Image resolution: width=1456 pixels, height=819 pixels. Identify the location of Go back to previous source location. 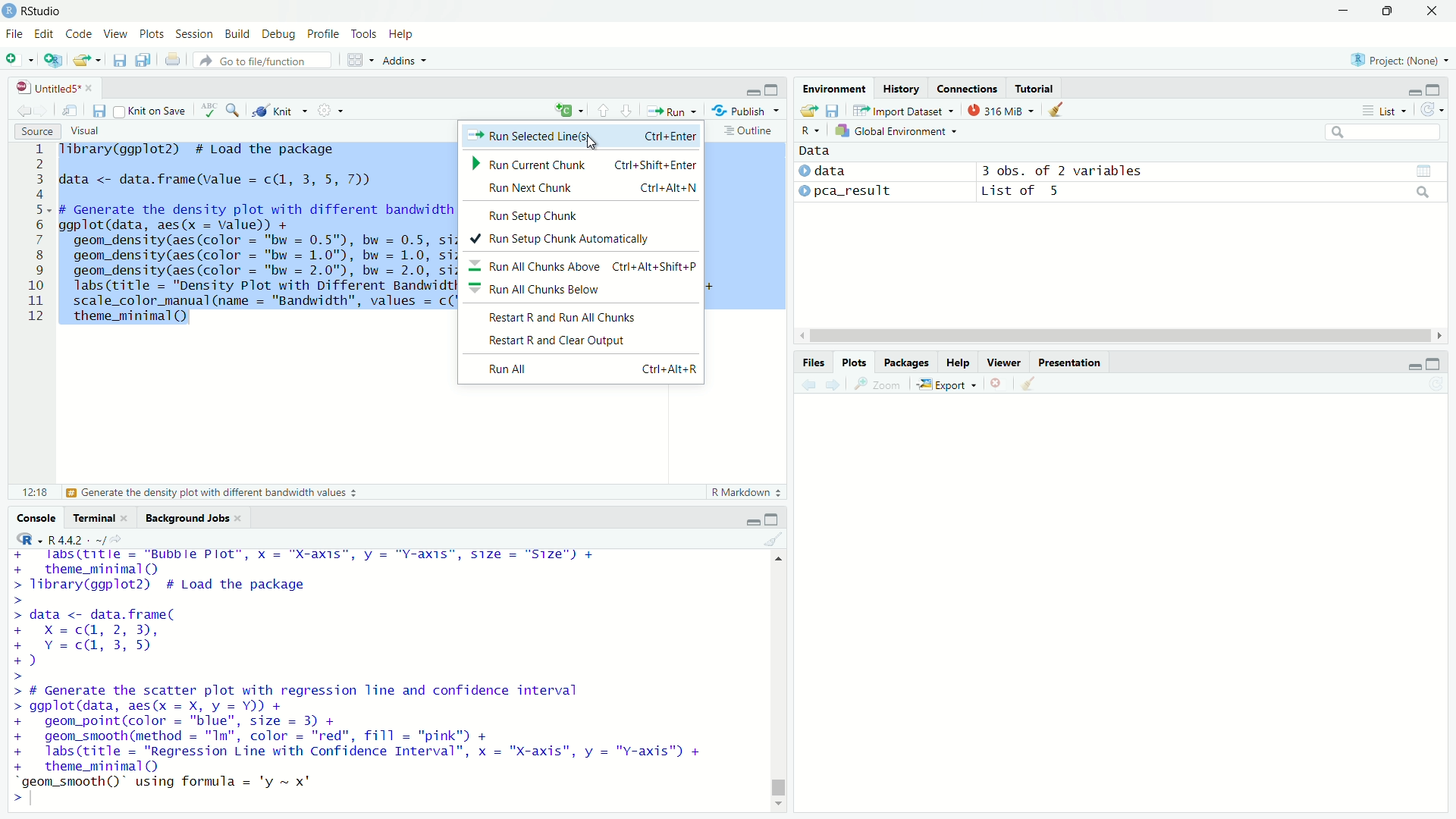
(21, 109).